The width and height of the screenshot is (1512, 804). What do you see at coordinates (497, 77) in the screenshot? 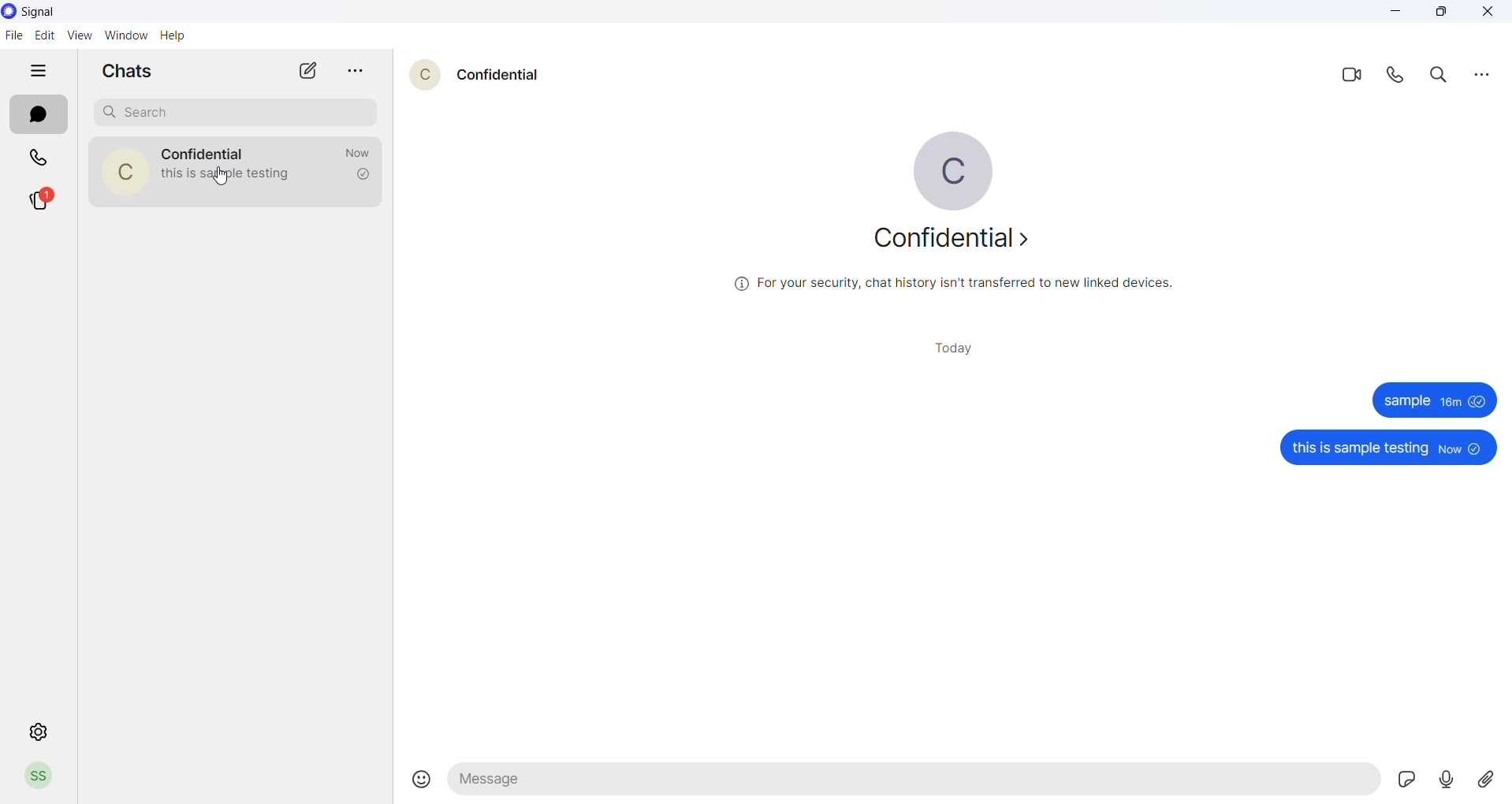
I see `confidential` at bounding box center [497, 77].